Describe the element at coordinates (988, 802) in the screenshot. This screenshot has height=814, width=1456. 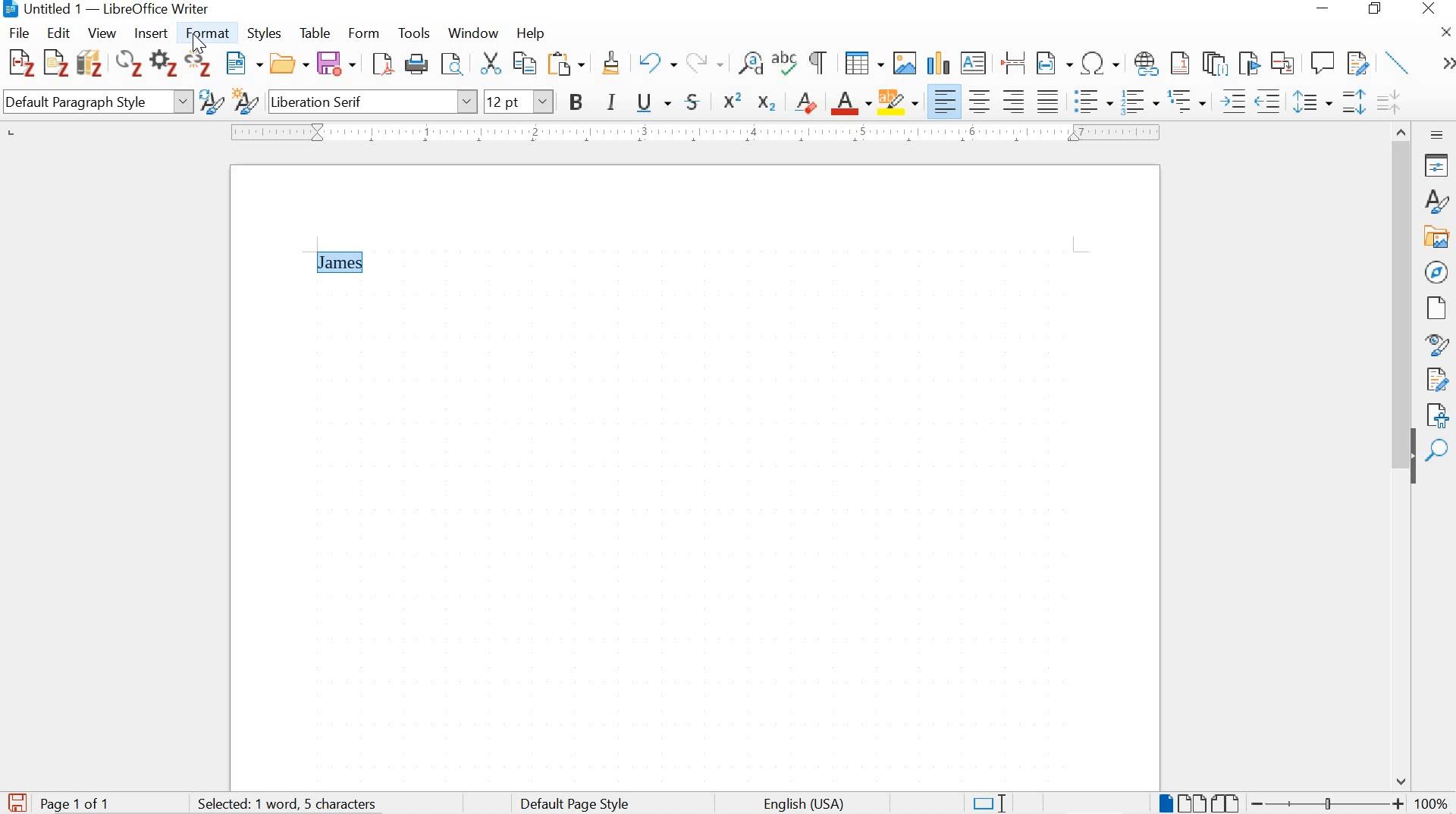
I see `standard selection` at that location.